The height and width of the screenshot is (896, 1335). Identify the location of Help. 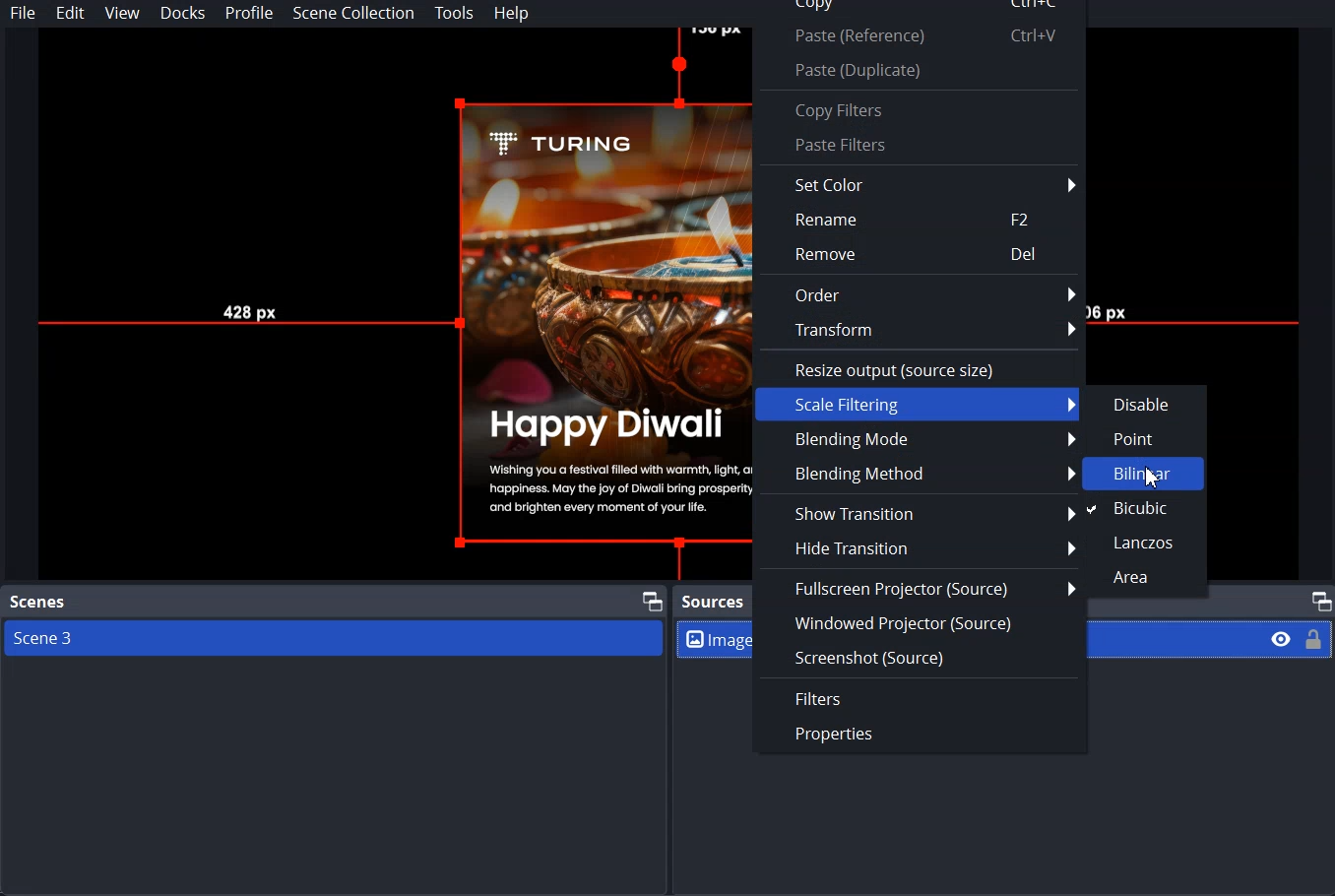
(512, 14).